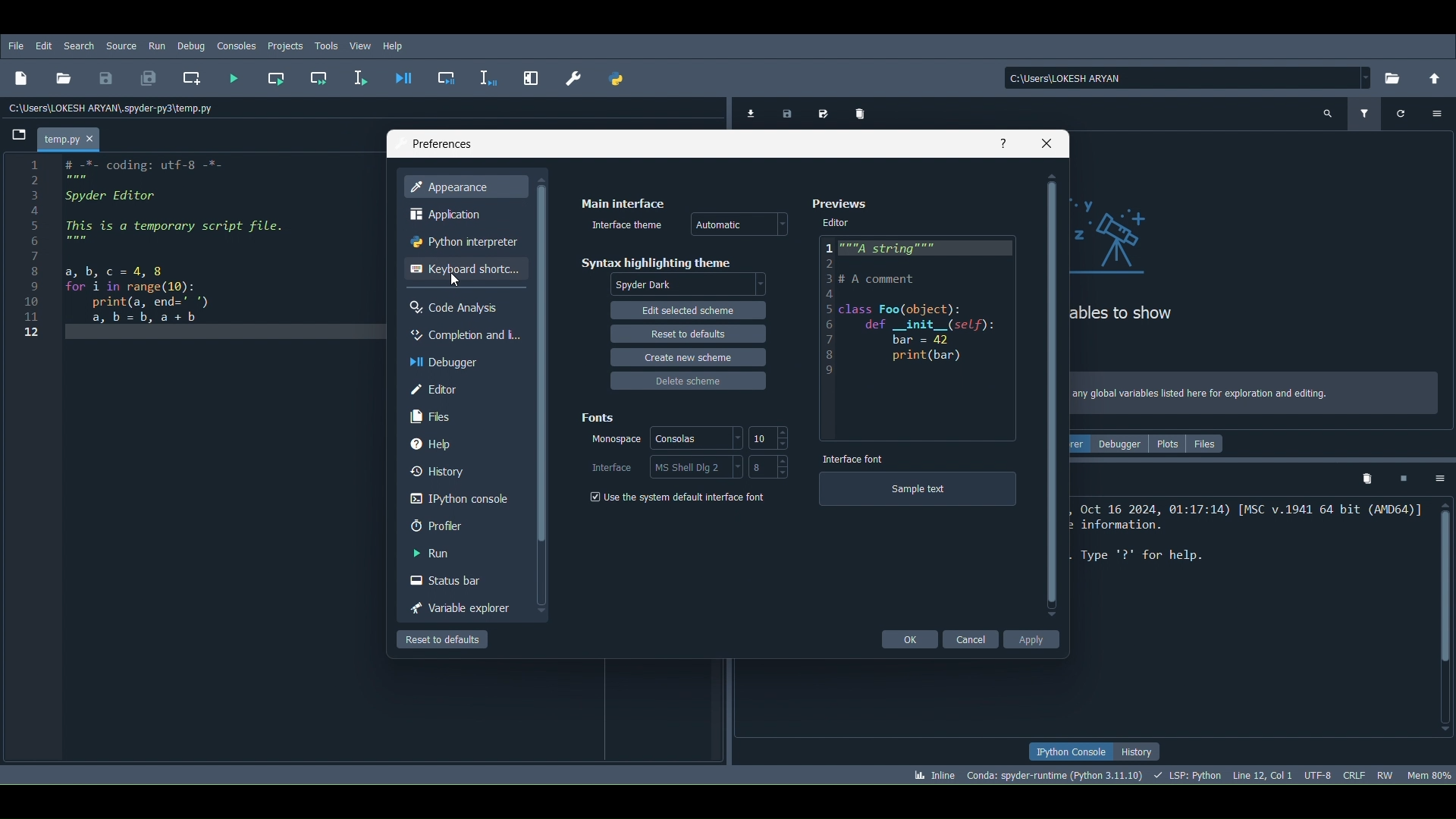  I want to click on Edit selected theme, so click(687, 312).